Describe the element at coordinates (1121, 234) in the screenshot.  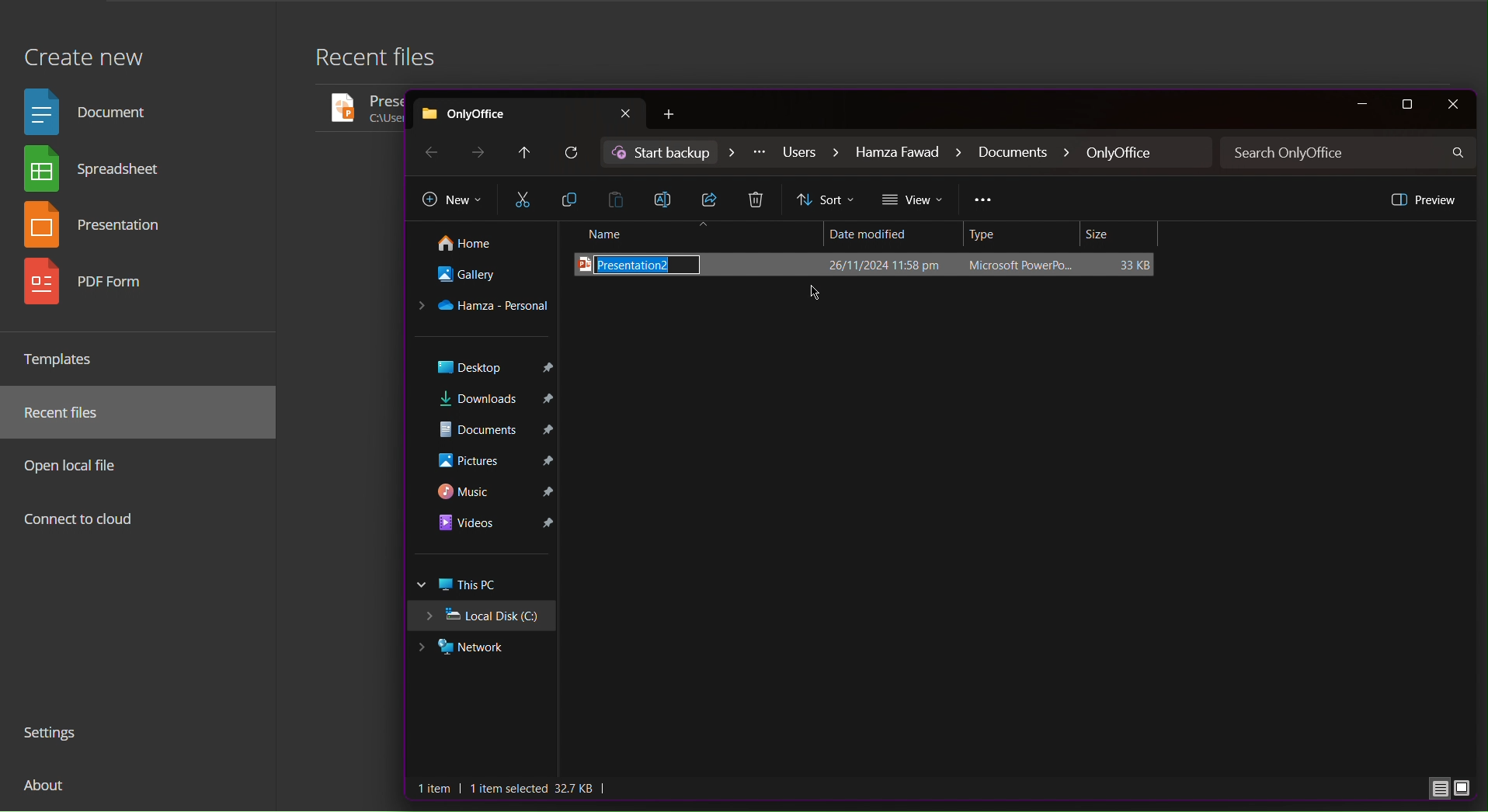
I see `Size` at that location.